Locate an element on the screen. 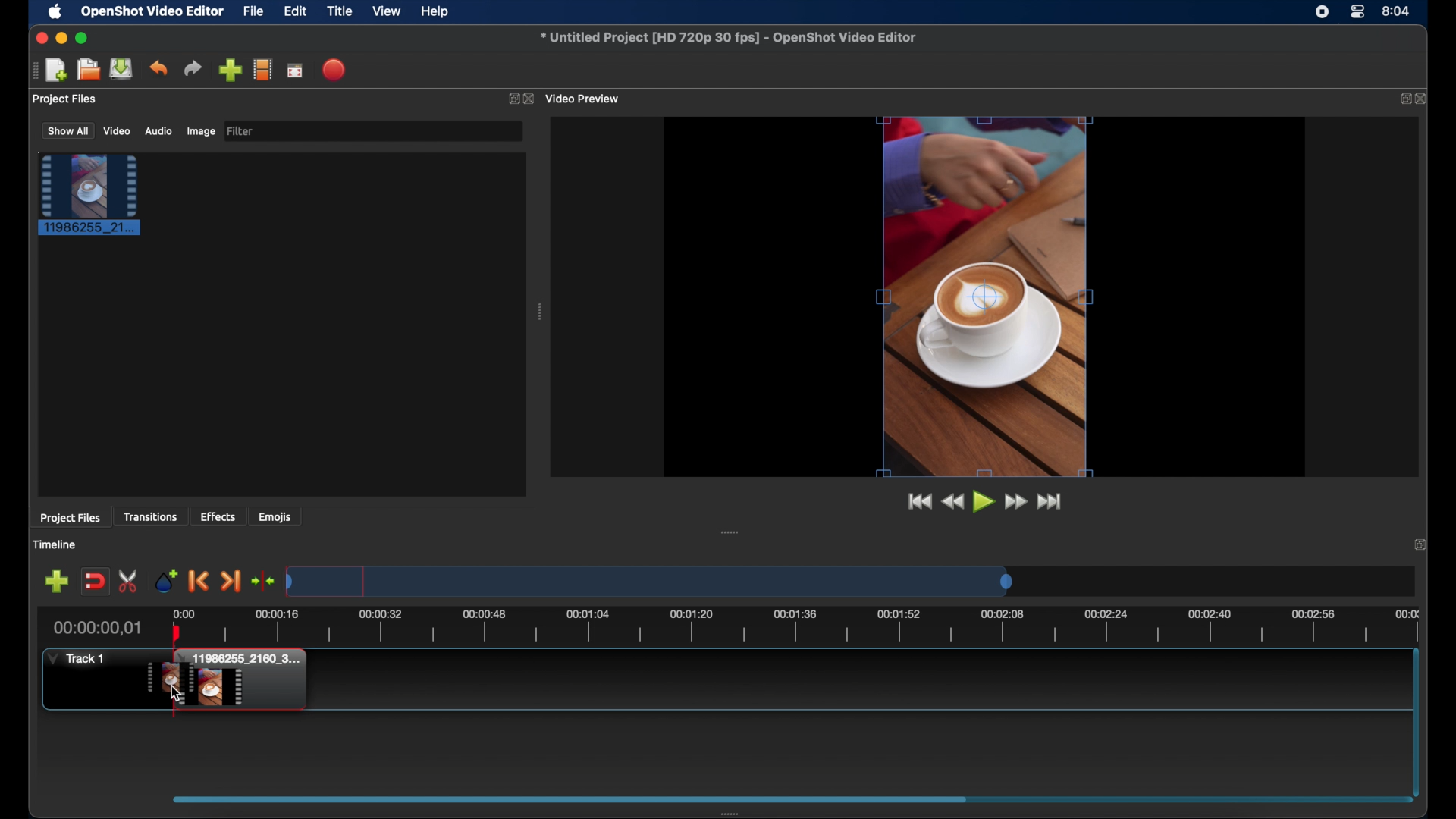  redo is located at coordinates (193, 67).